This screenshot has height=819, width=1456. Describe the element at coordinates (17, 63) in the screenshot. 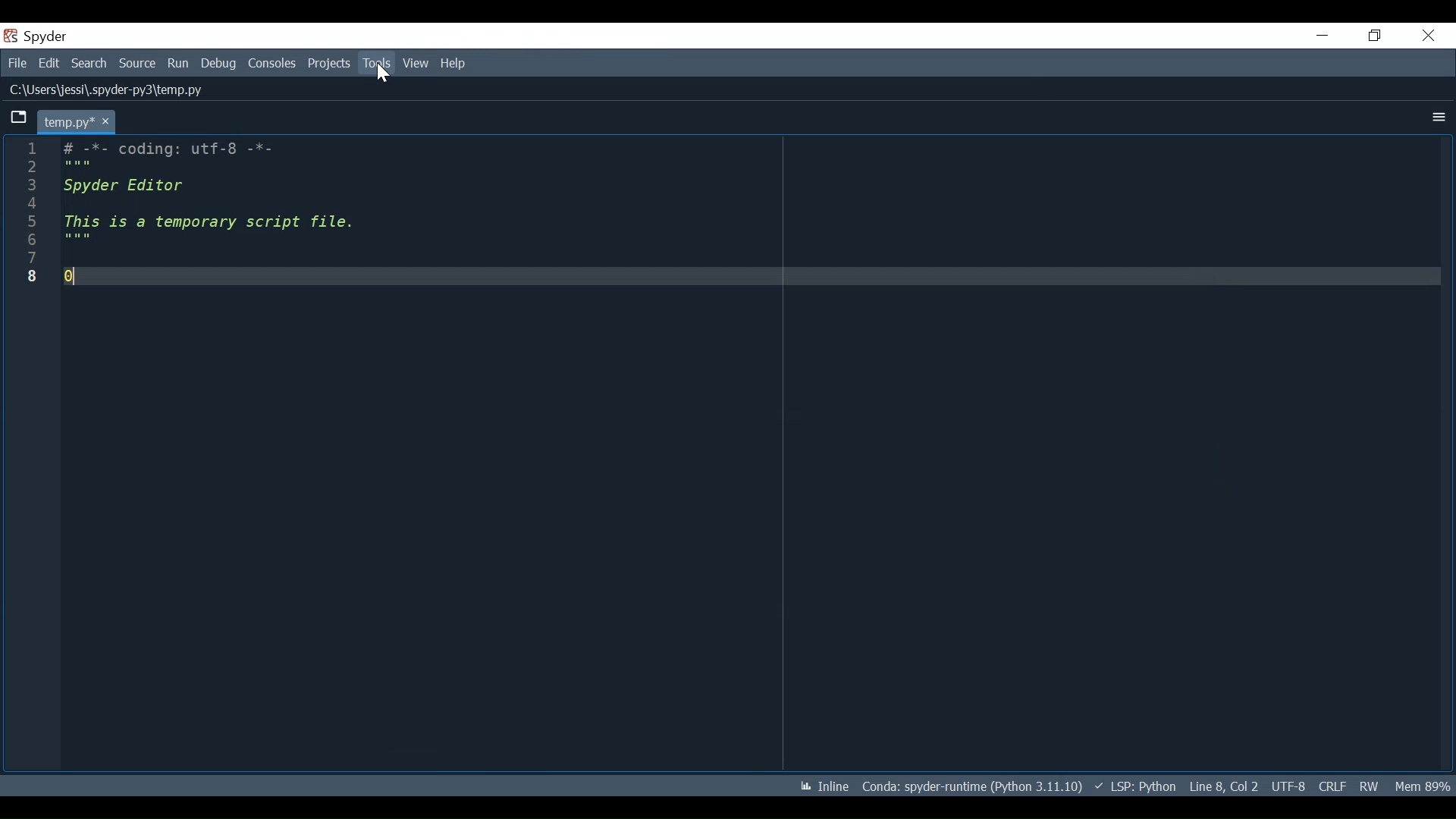

I see `File` at that location.